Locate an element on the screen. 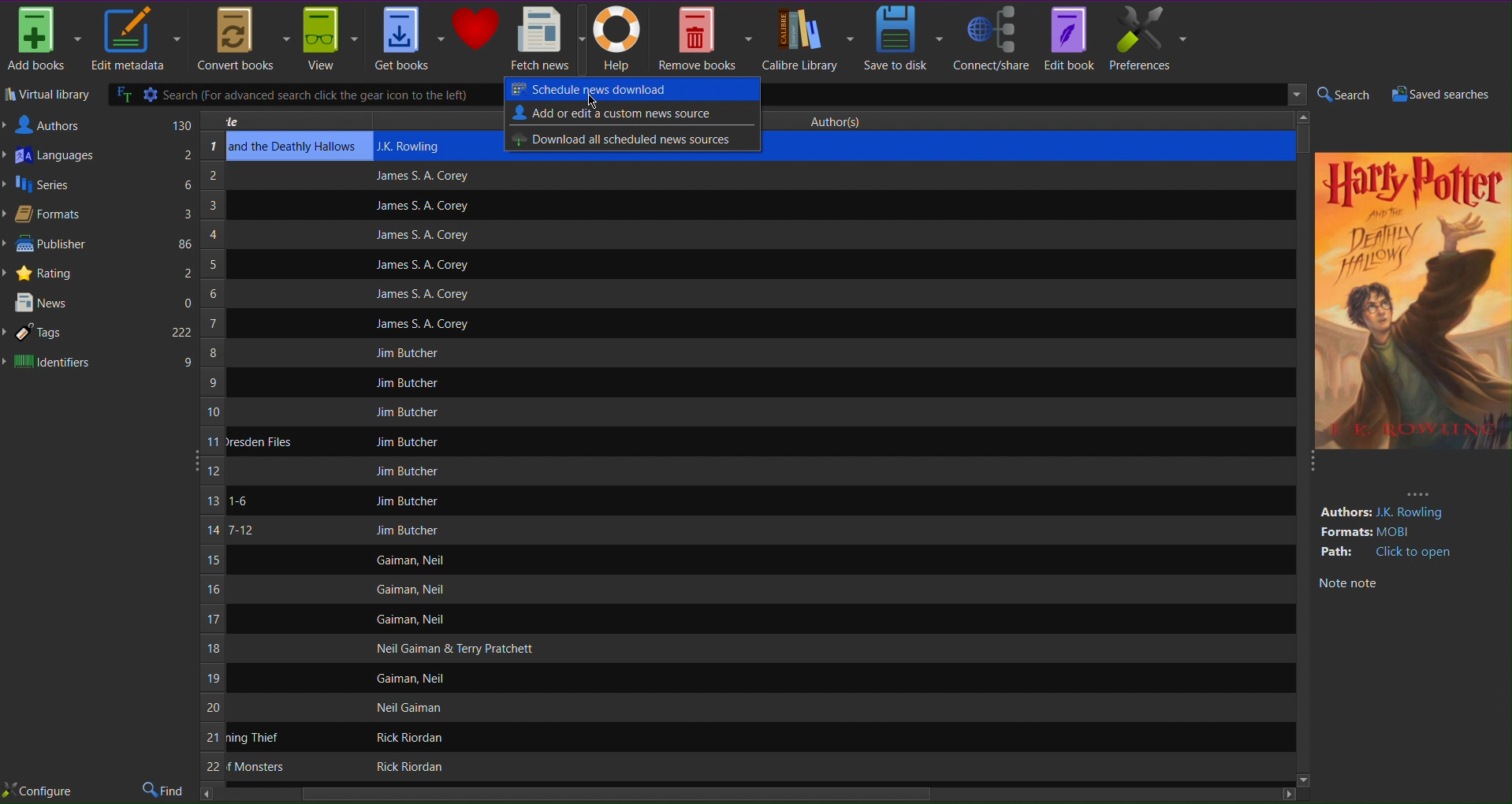 This screenshot has width=1512, height=804. Help is located at coordinates (621, 39).